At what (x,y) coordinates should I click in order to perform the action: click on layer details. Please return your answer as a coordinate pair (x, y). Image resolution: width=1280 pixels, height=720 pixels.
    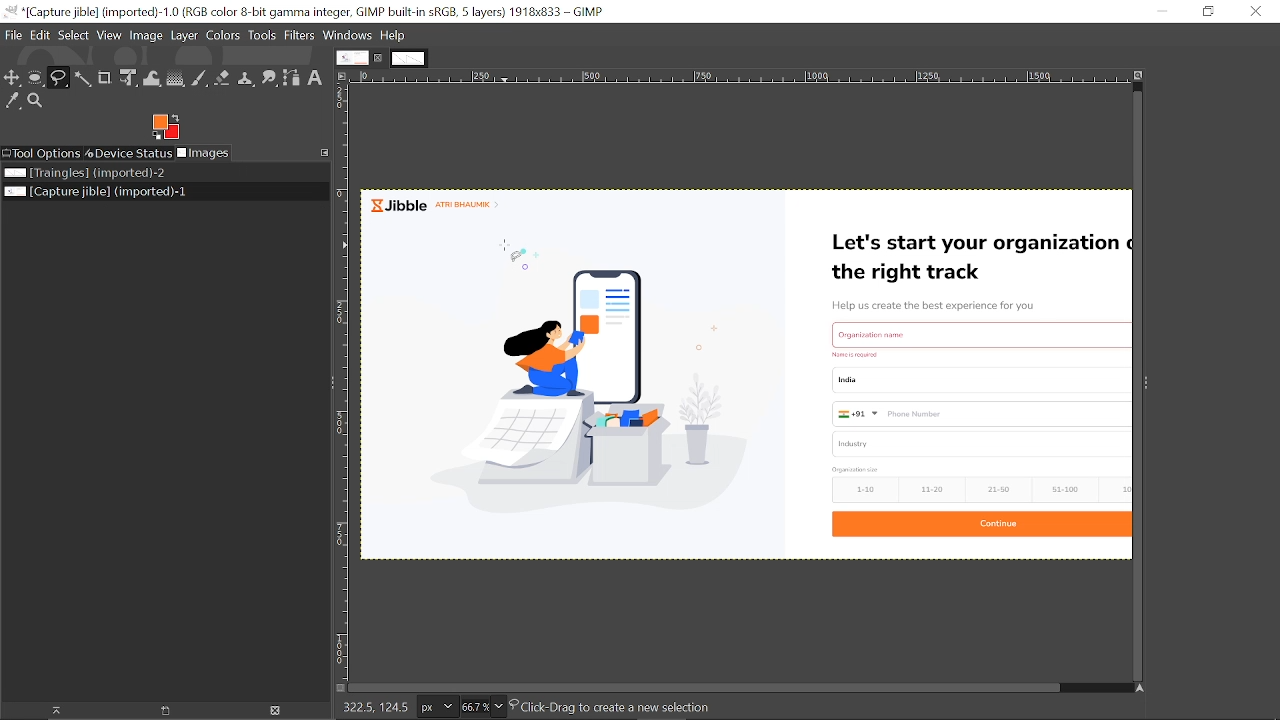
    Looking at the image, I should click on (611, 709).